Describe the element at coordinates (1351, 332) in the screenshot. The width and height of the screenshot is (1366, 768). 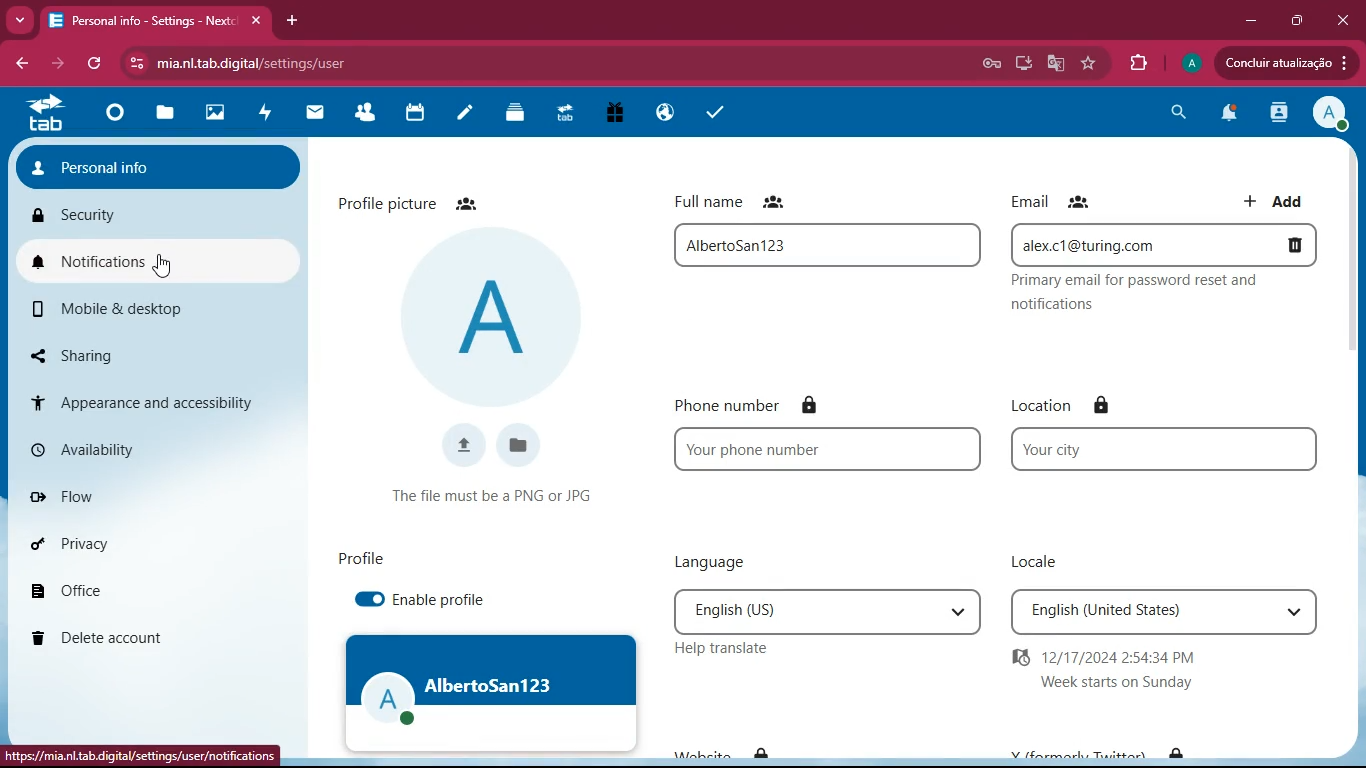
I see `scroll bar` at that location.